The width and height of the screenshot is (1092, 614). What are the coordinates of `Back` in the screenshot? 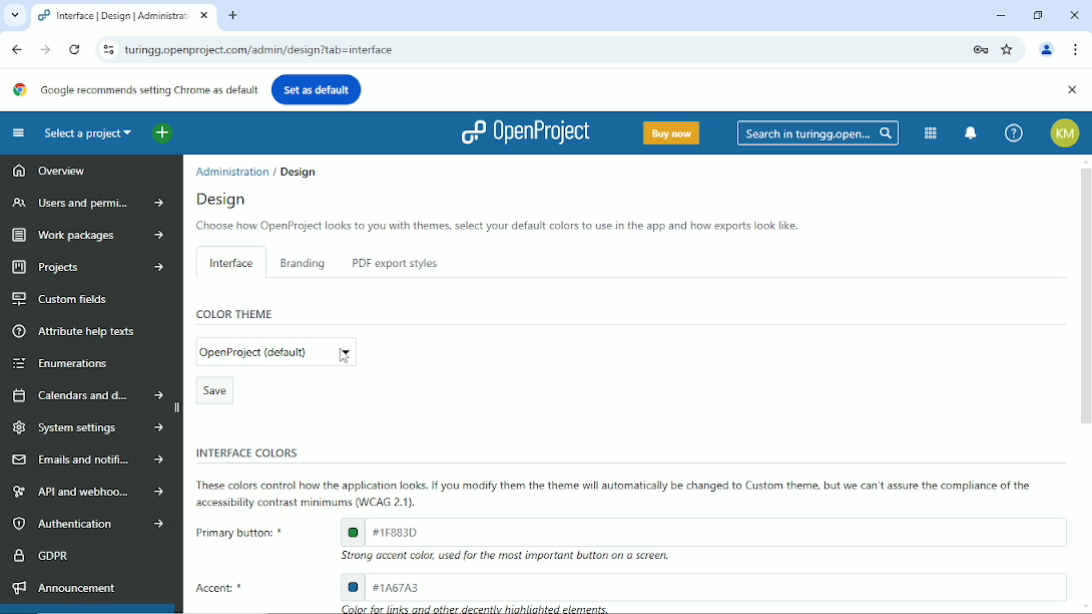 It's located at (17, 48).